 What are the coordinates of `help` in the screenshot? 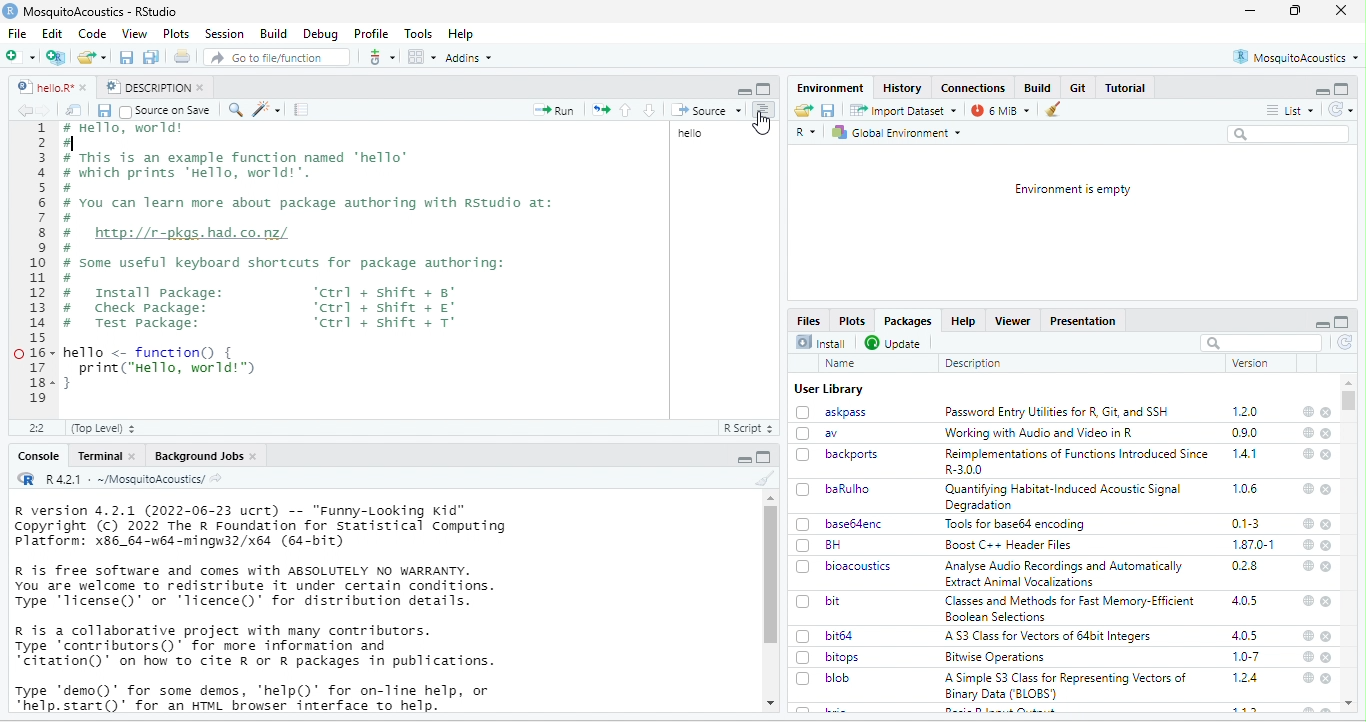 It's located at (1307, 657).